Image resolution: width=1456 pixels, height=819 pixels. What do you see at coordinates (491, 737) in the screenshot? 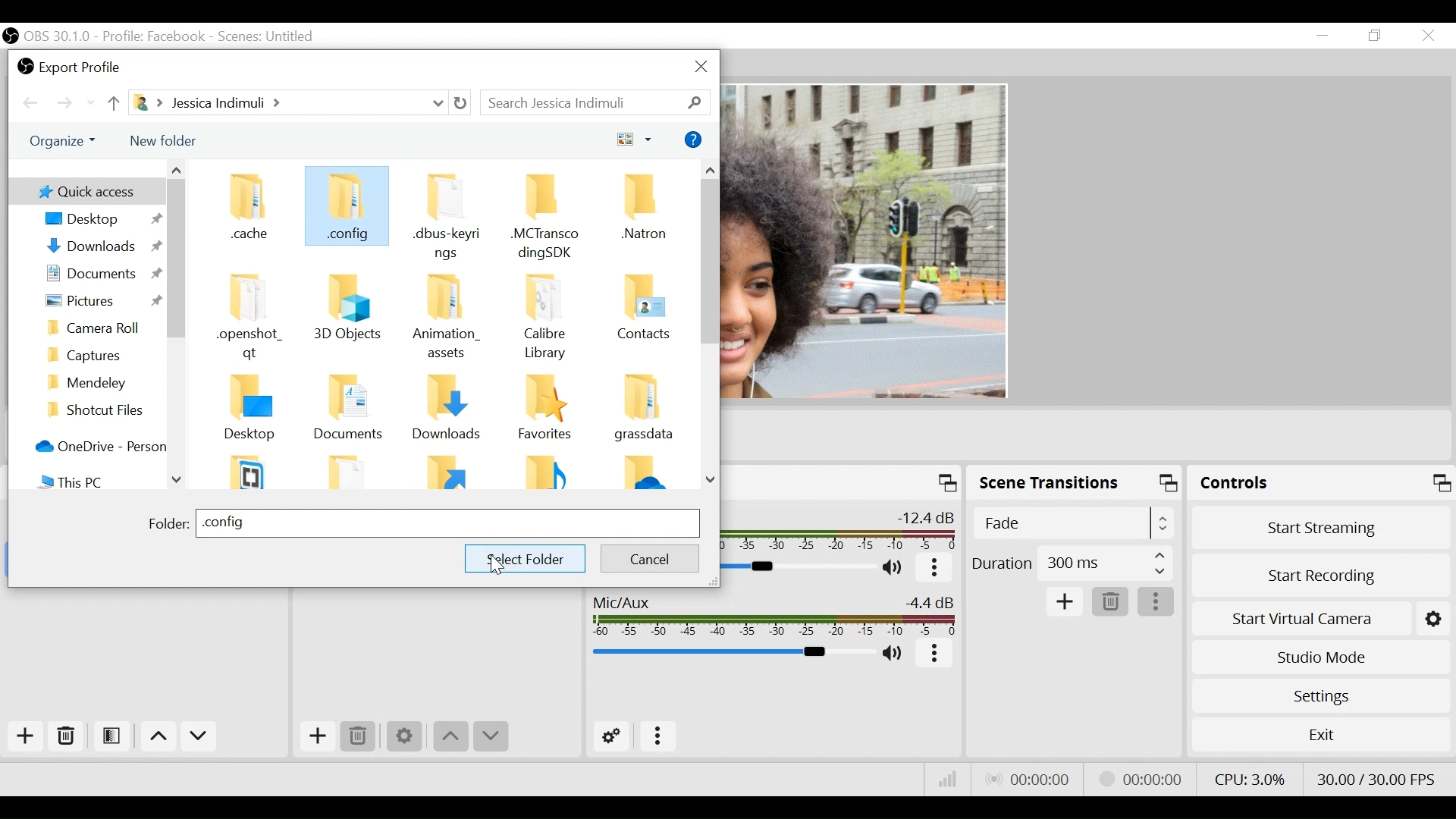
I see `Move down` at bounding box center [491, 737].